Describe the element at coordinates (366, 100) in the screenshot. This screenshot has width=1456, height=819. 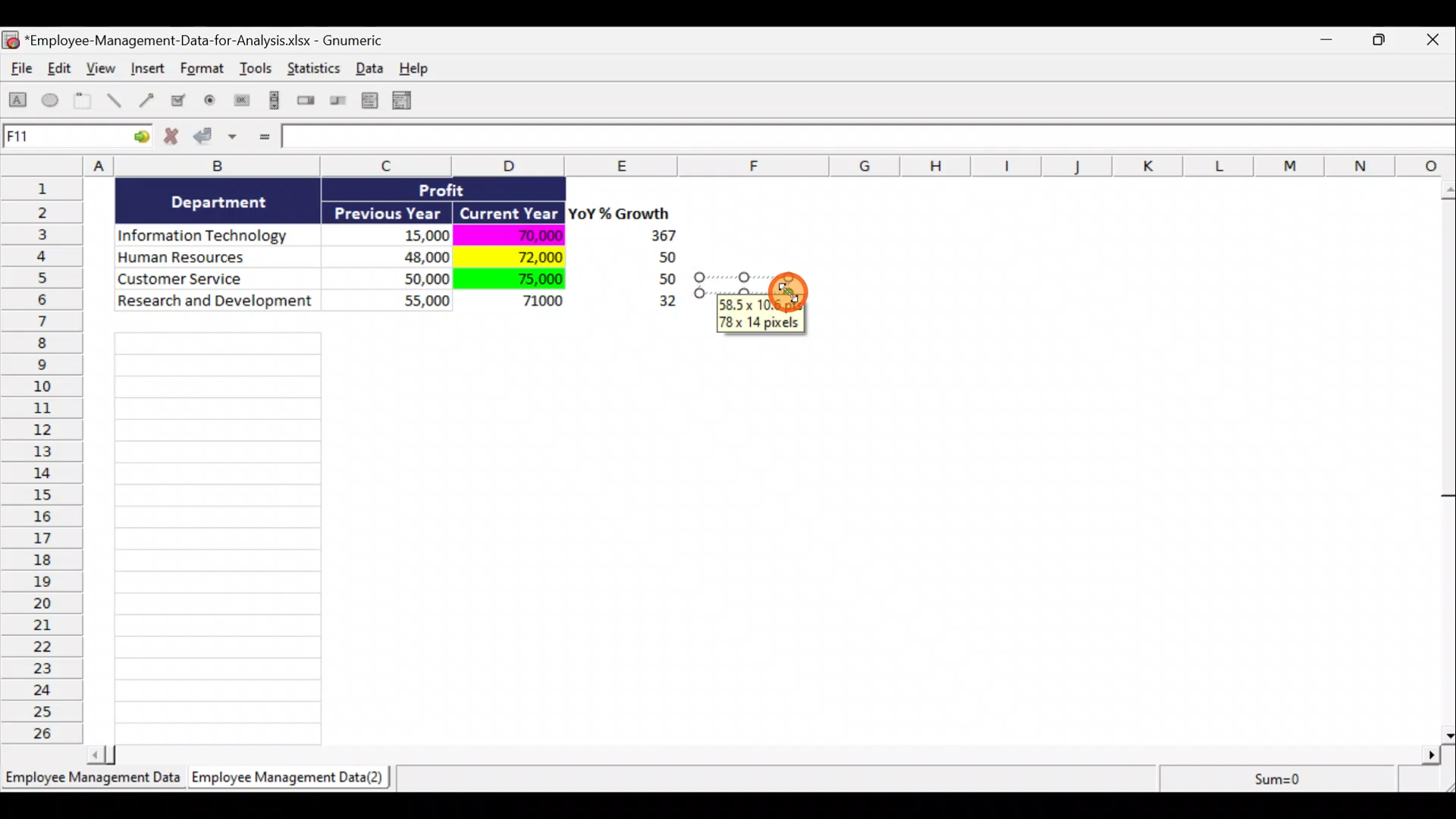
I see `Create a list` at that location.